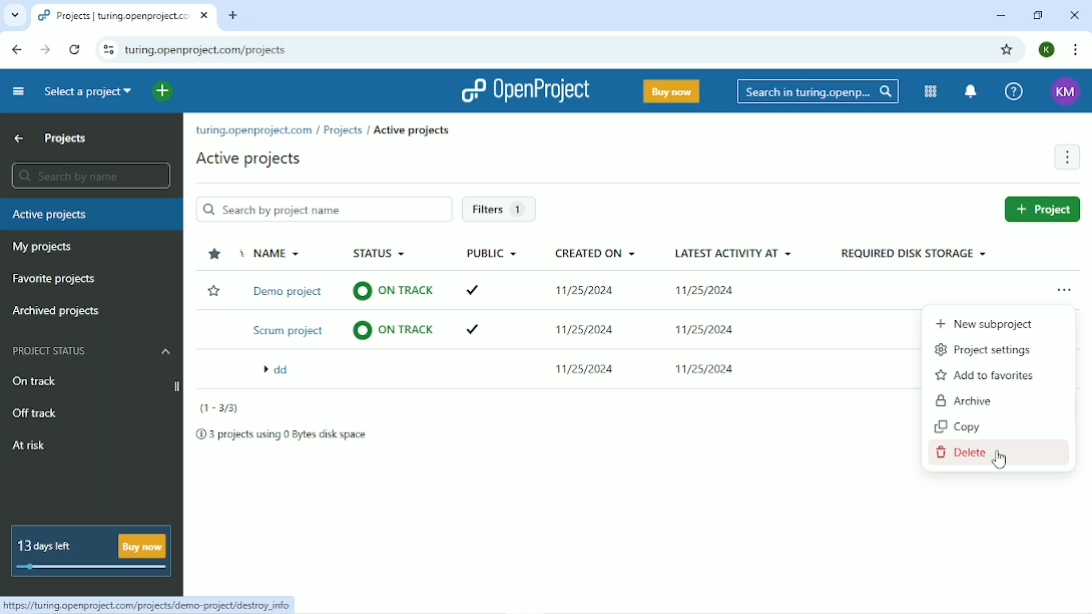 This screenshot has height=614, width=1092. Describe the element at coordinates (1065, 93) in the screenshot. I see `KM` at that location.